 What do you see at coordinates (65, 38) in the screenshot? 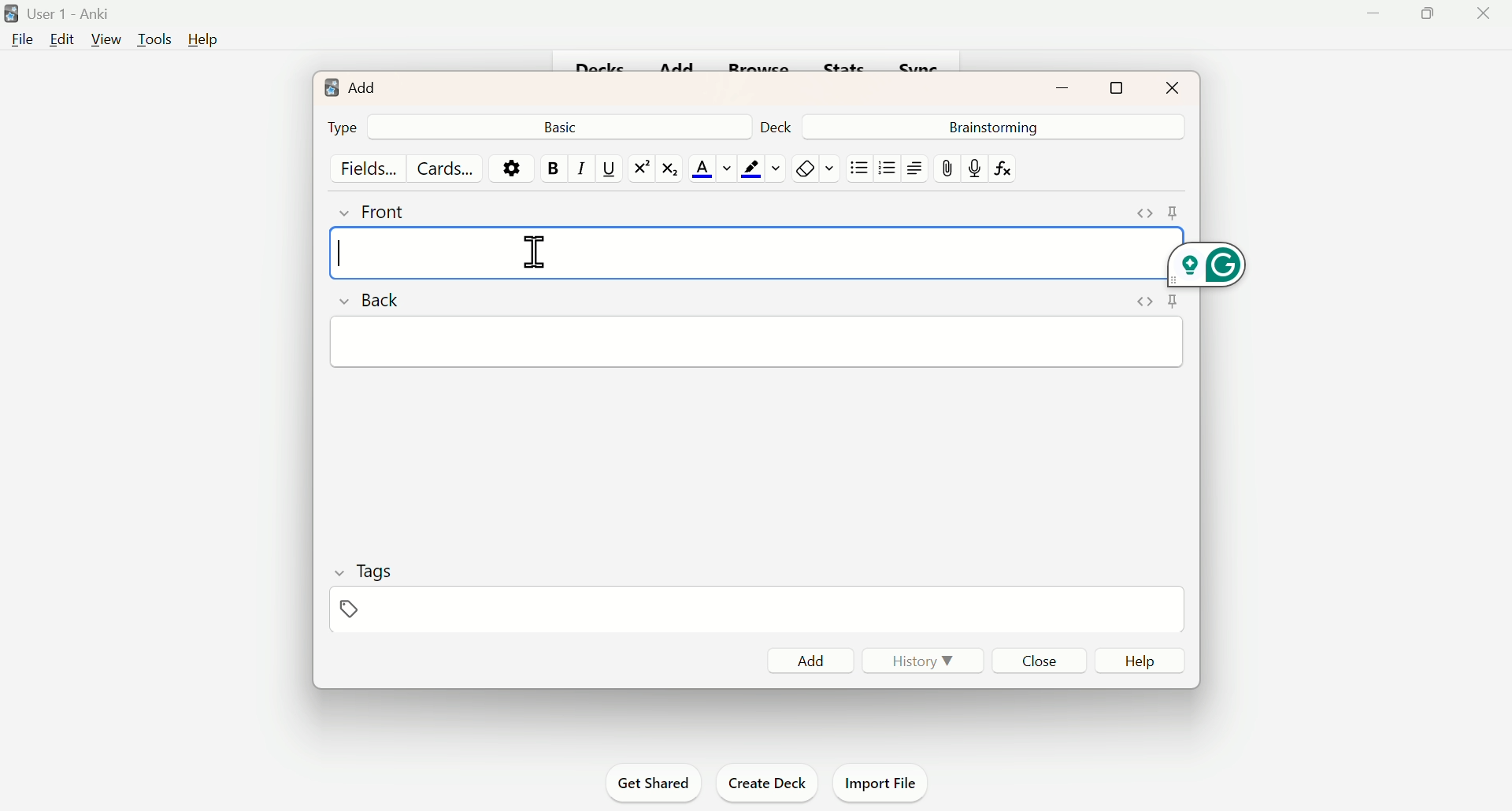
I see `` at bounding box center [65, 38].